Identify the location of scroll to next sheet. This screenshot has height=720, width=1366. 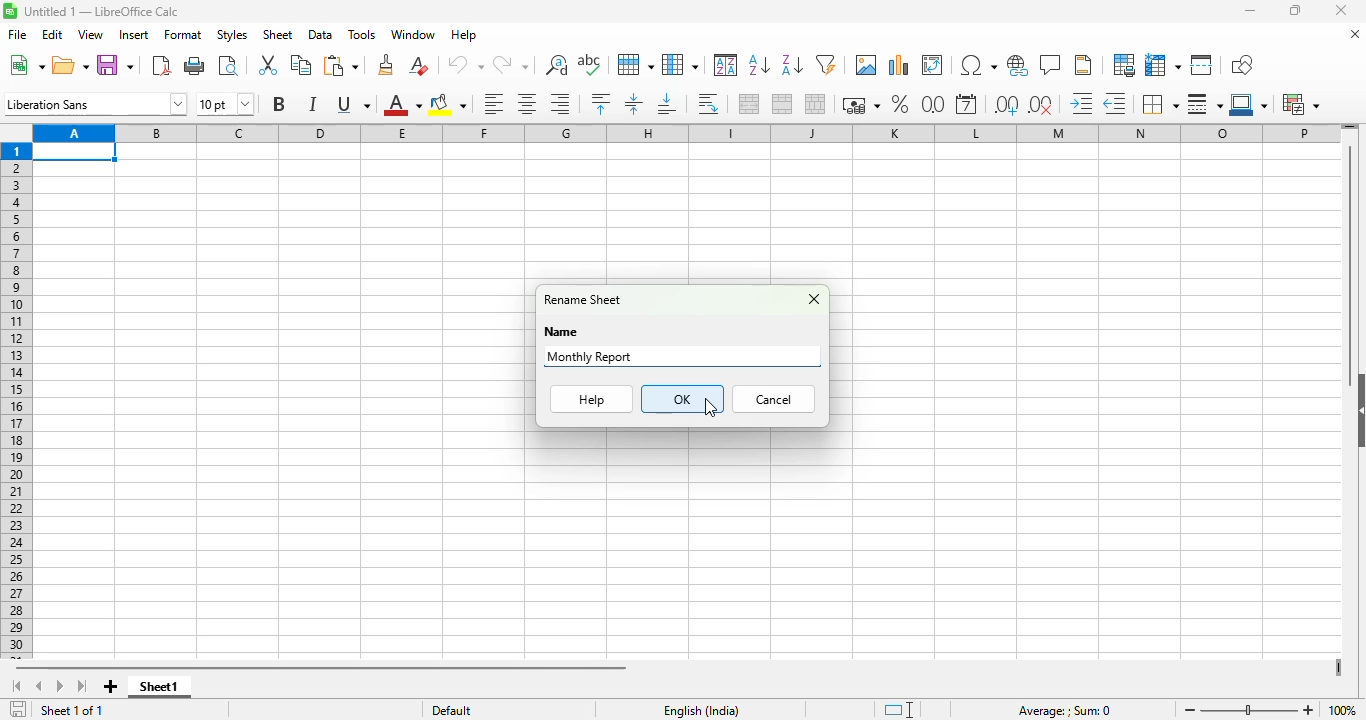
(61, 687).